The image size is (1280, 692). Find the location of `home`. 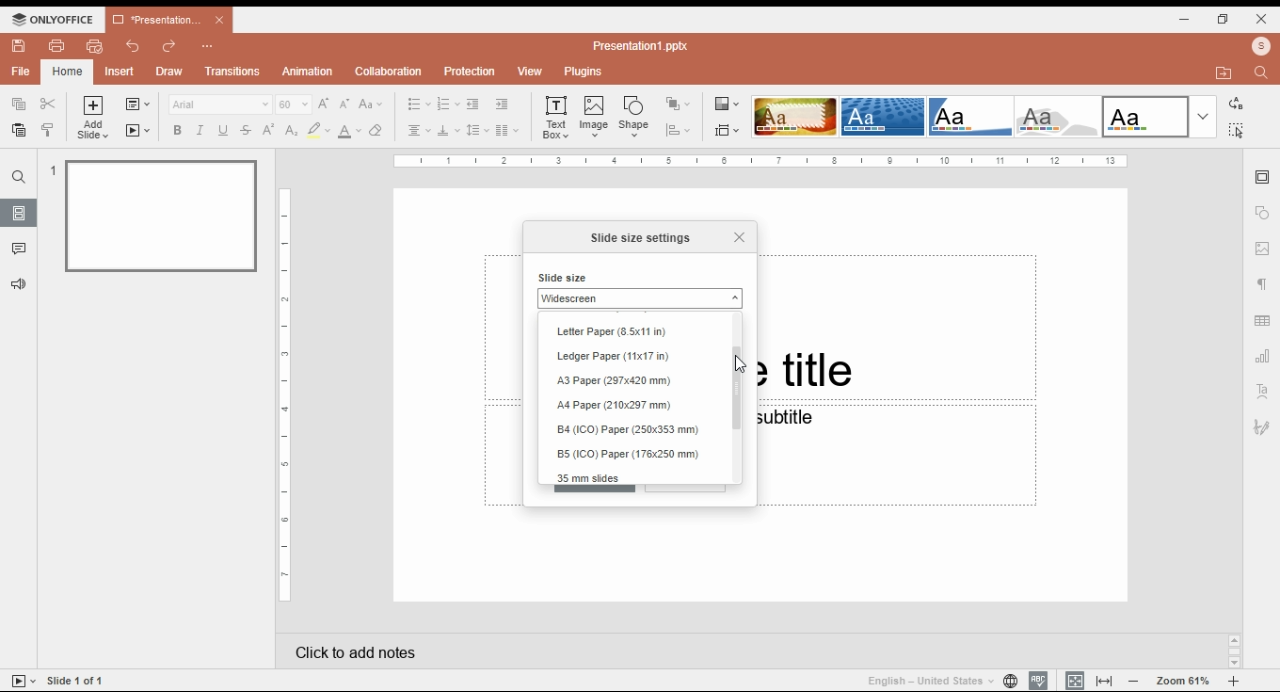

home is located at coordinates (66, 72).